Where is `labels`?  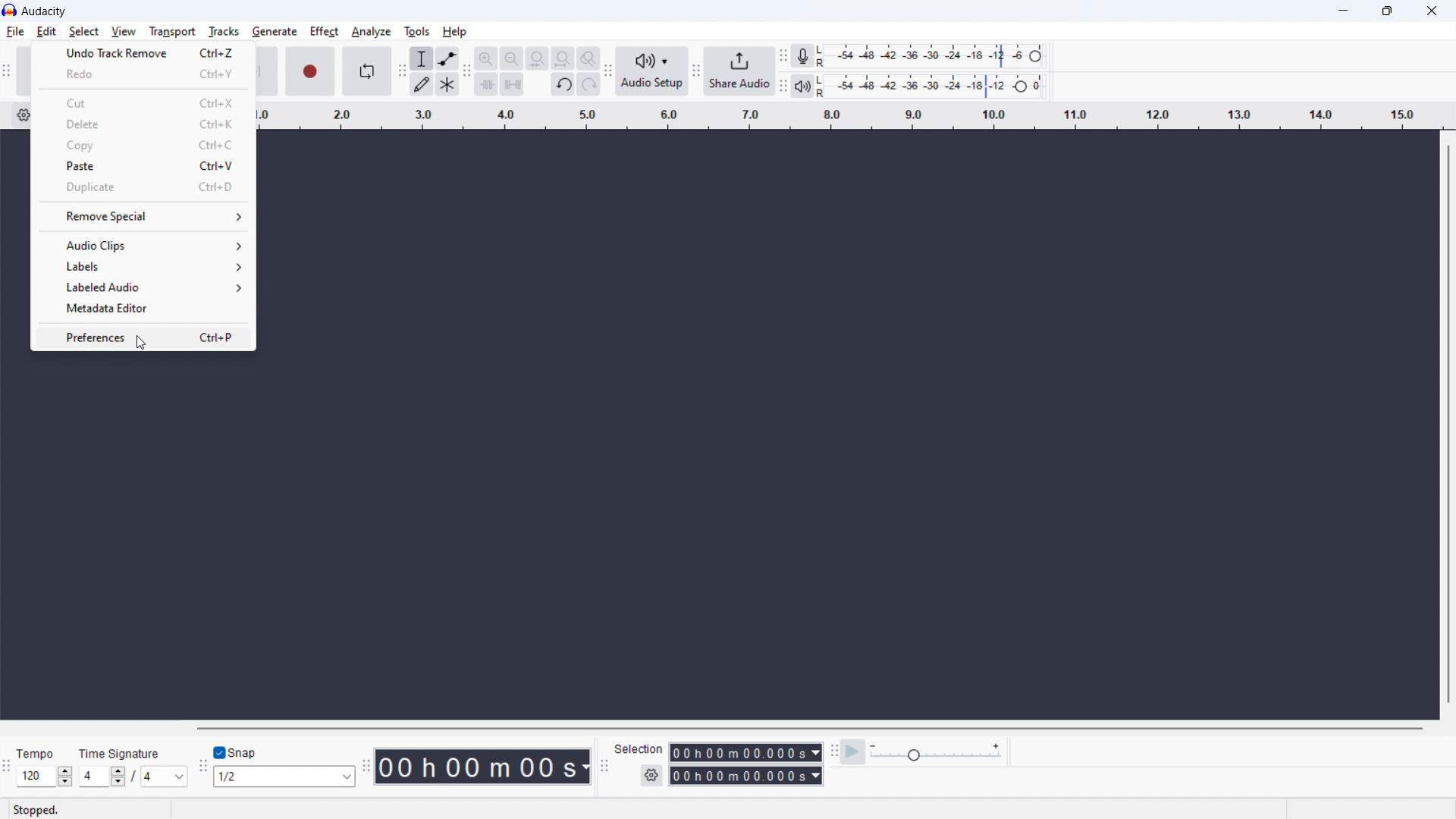
labels is located at coordinates (143, 265).